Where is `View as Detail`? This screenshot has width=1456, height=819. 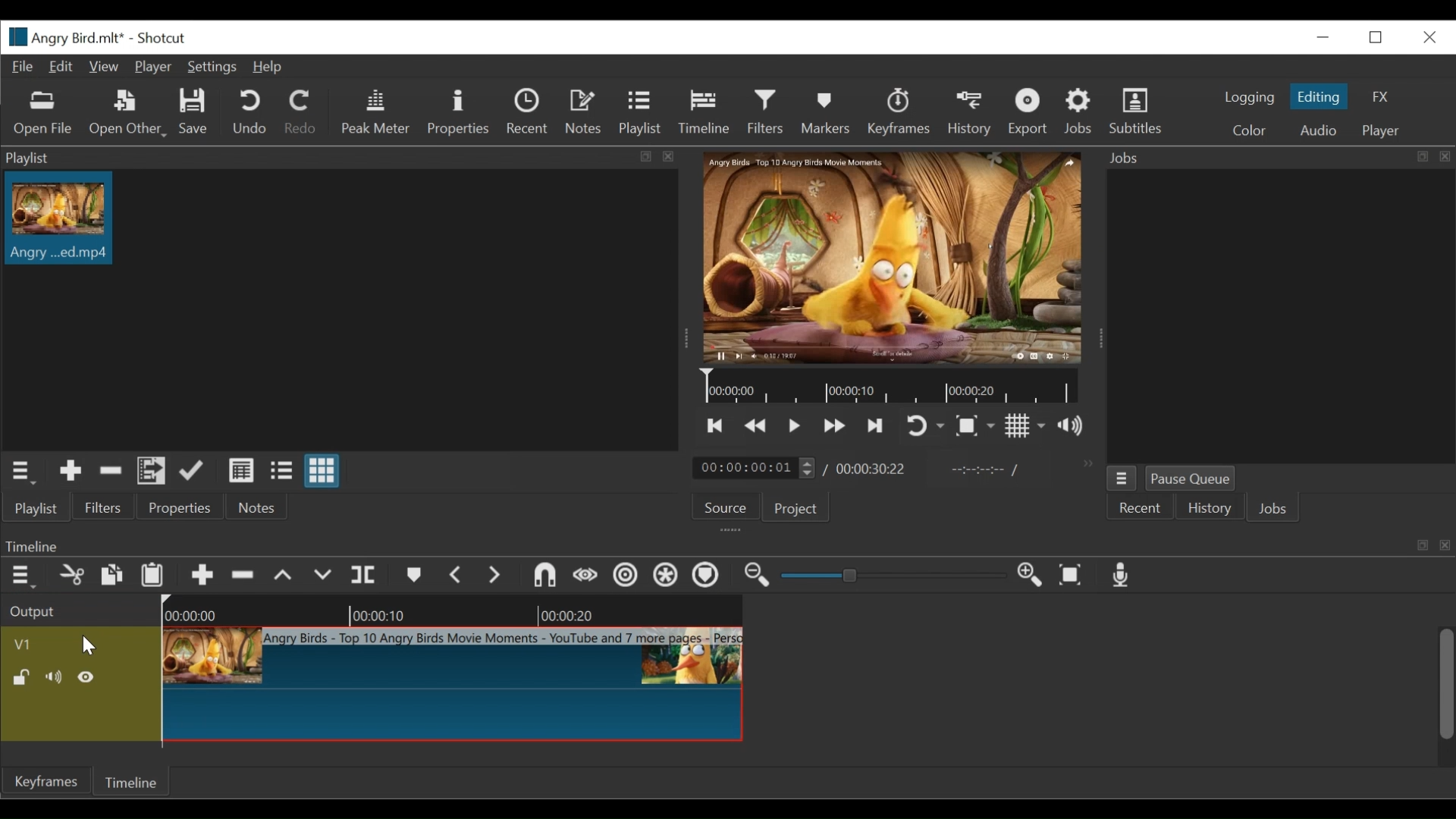 View as Detail is located at coordinates (240, 470).